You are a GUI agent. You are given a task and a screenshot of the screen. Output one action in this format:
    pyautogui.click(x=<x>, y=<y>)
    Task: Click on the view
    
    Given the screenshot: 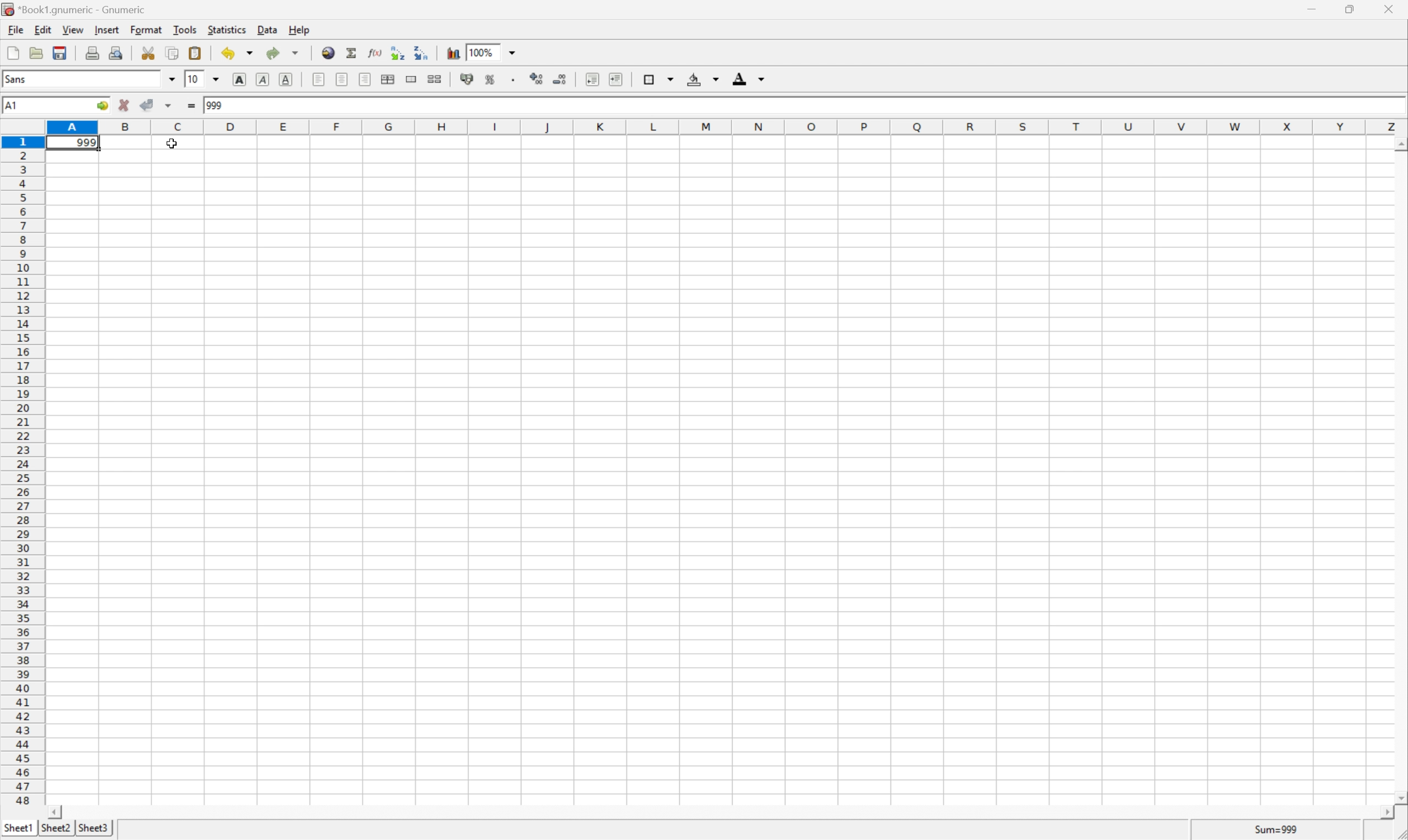 What is the action you would take?
    pyautogui.click(x=75, y=30)
    